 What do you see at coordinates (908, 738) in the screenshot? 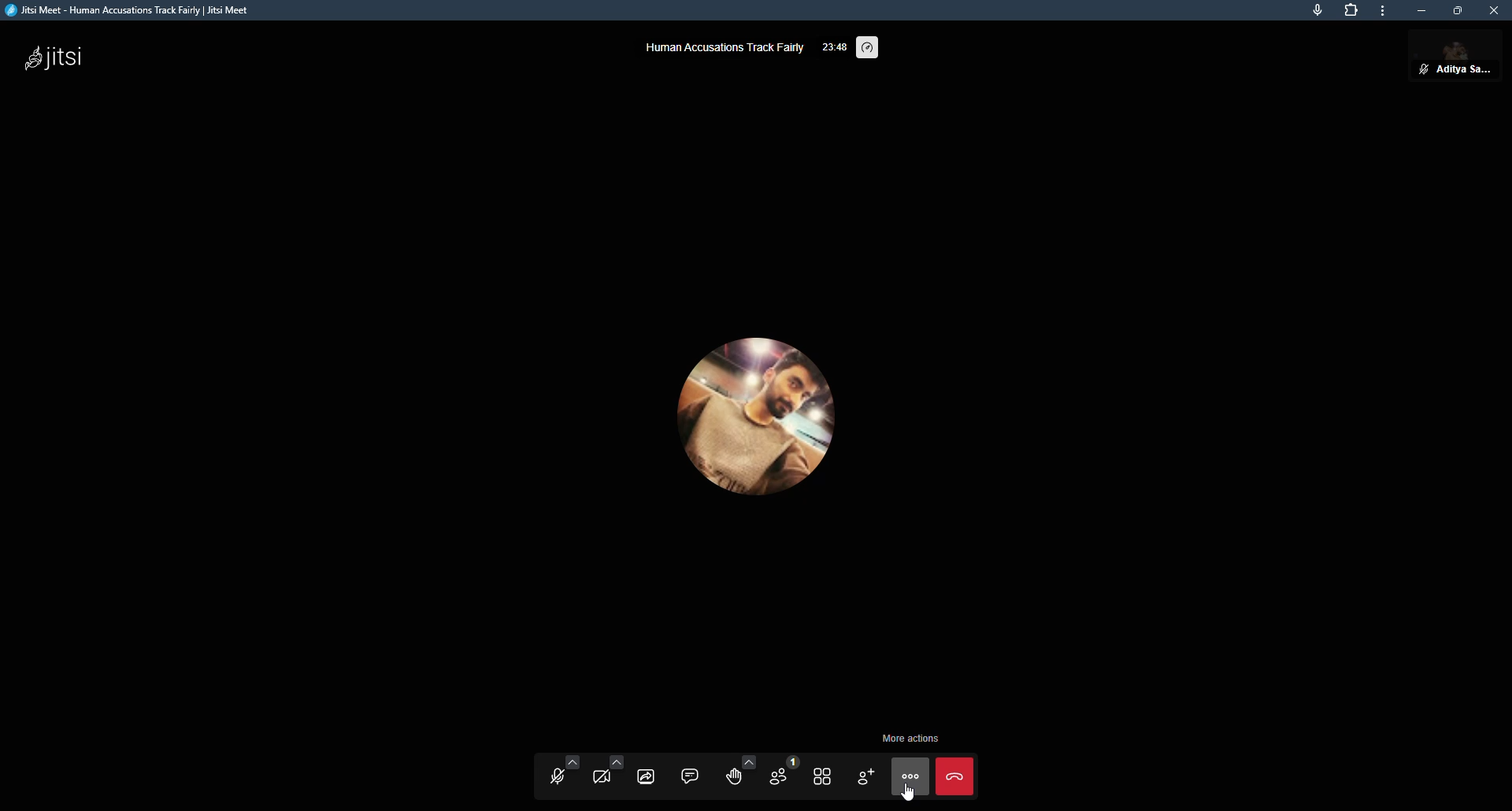
I see `more actions` at bounding box center [908, 738].